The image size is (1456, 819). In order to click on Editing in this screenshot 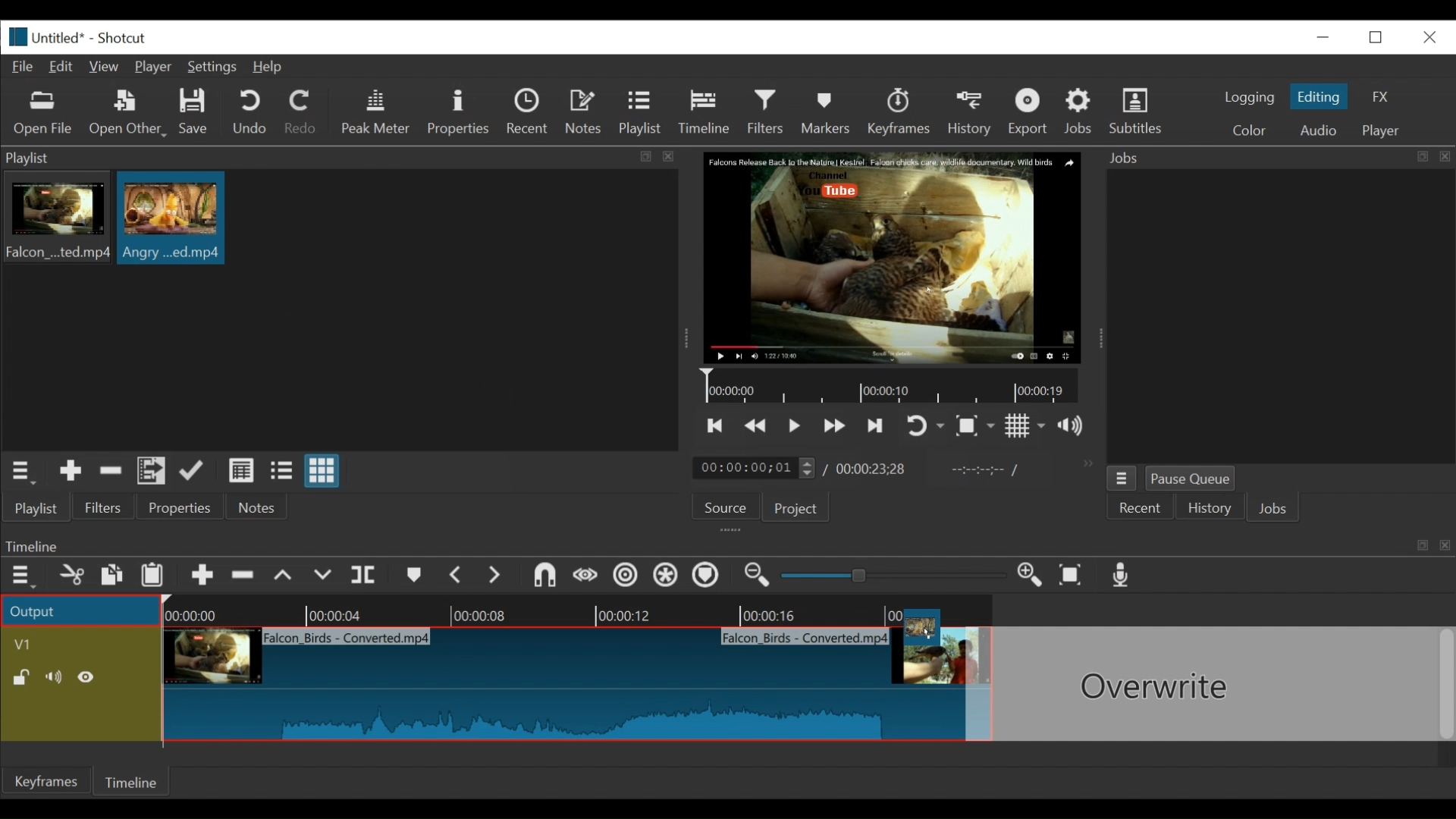, I will do `click(1321, 96)`.